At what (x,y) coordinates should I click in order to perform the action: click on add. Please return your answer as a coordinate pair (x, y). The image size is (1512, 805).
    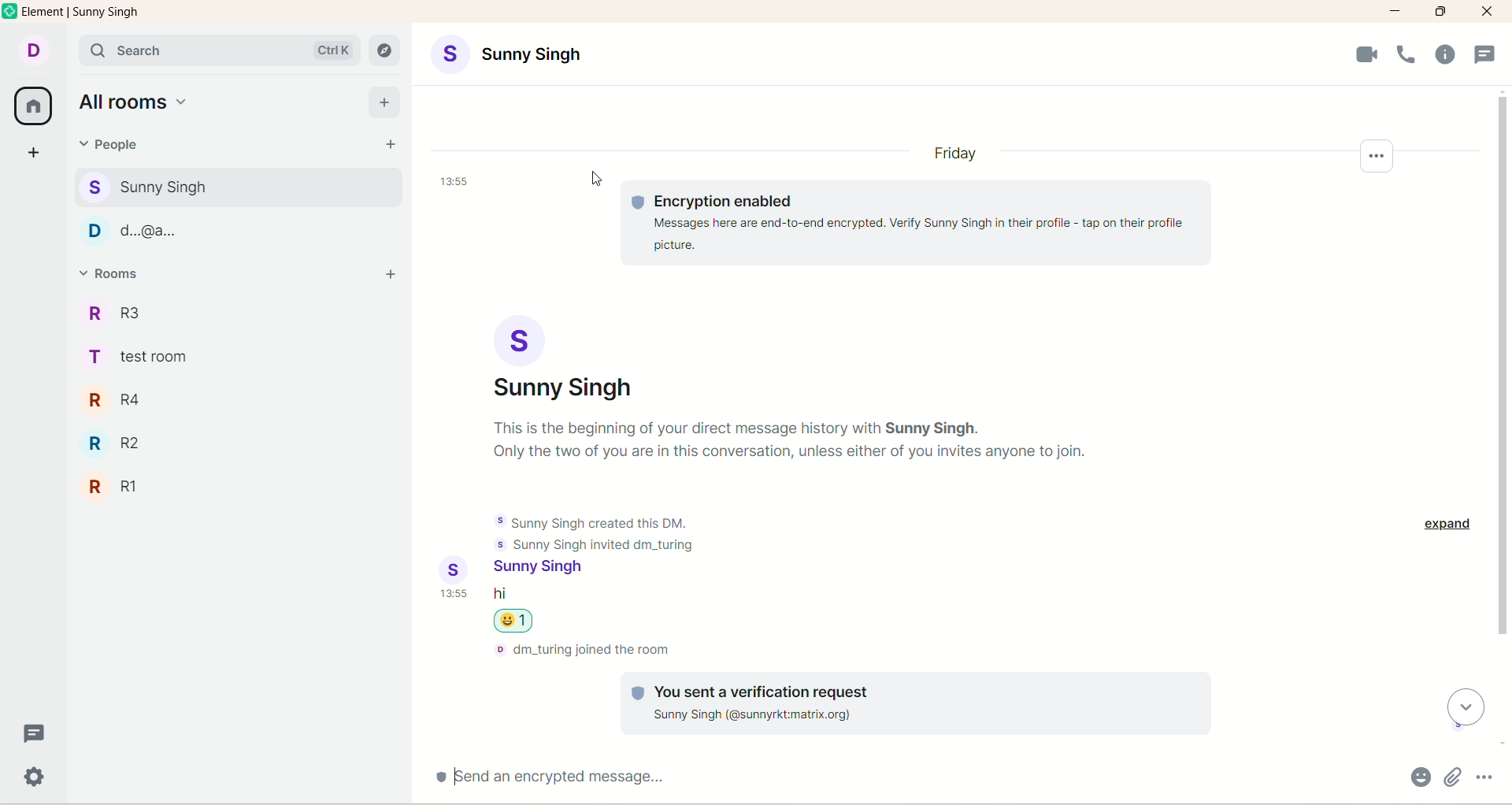
    Looking at the image, I should click on (389, 276).